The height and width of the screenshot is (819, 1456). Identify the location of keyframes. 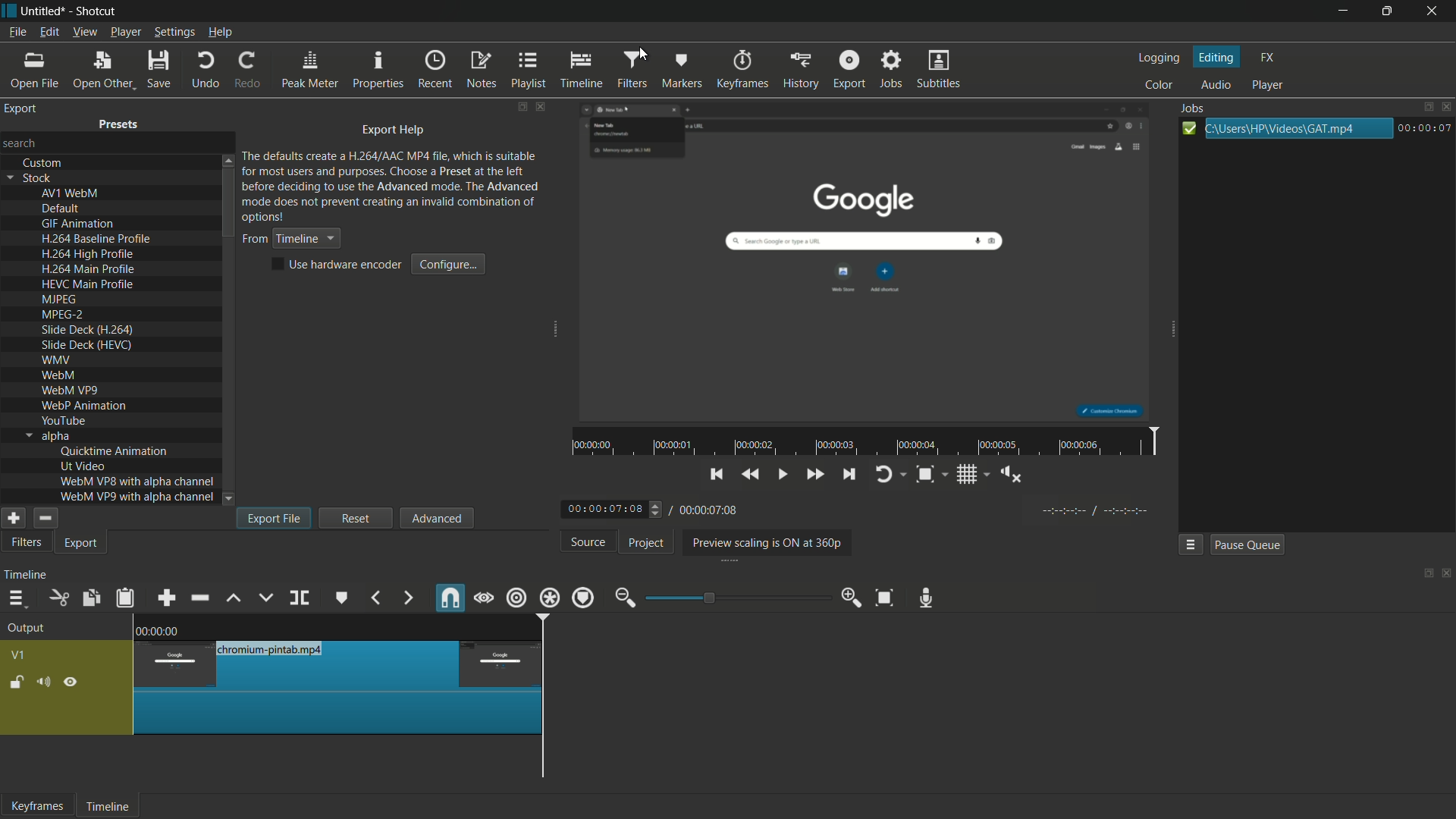
(37, 805).